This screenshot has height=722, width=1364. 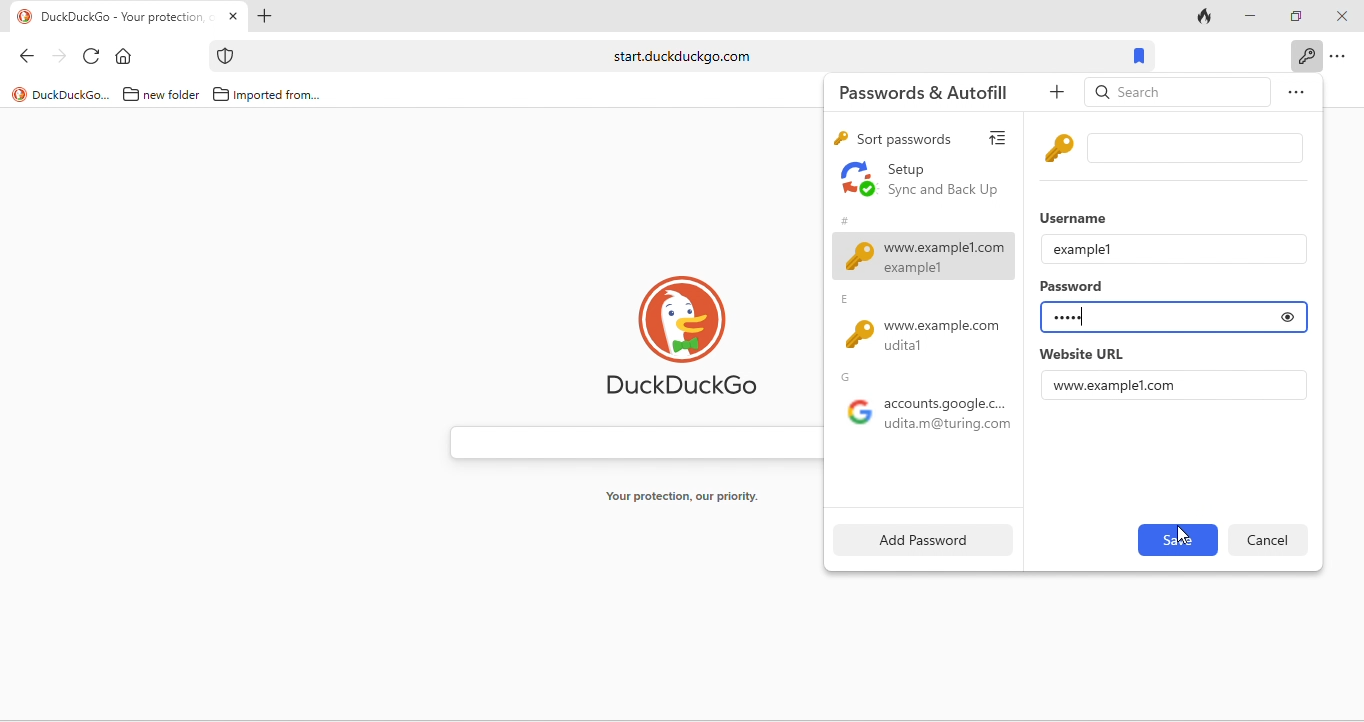 I want to click on www.example1.com, so click(x=1117, y=385).